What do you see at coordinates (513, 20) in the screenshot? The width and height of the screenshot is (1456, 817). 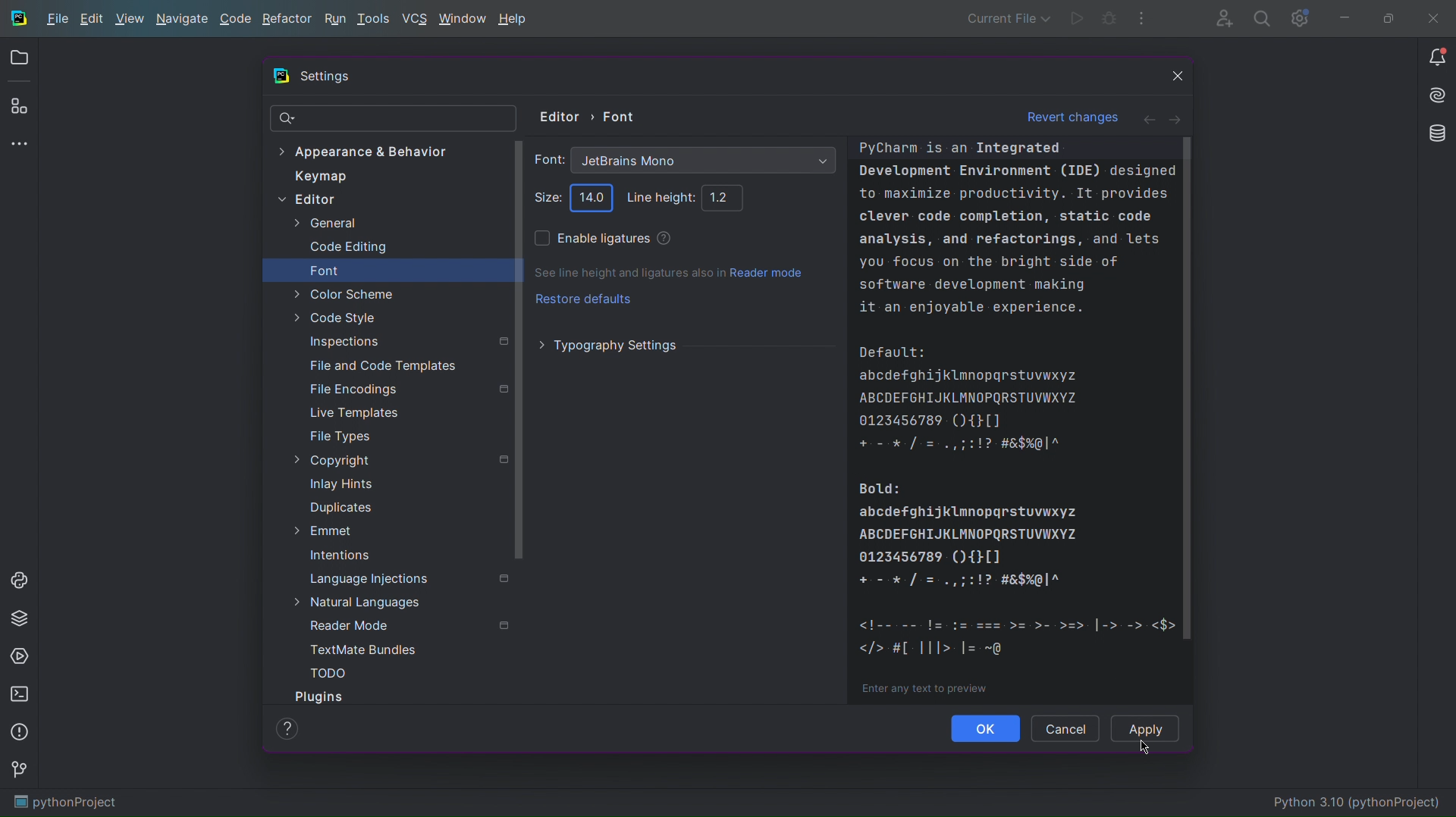 I see `Help` at bounding box center [513, 20].